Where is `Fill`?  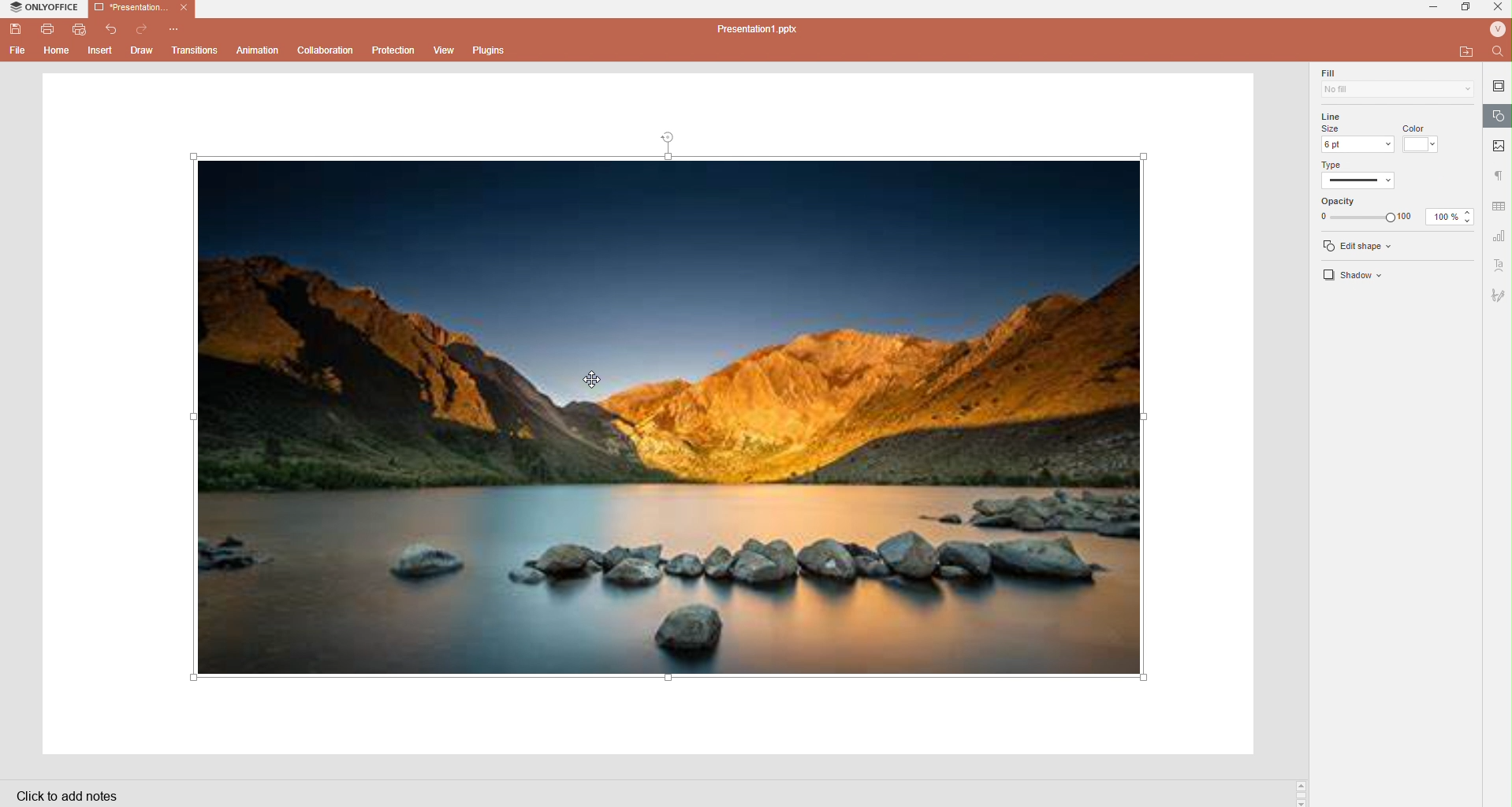 Fill is located at coordinates (1395, 83).